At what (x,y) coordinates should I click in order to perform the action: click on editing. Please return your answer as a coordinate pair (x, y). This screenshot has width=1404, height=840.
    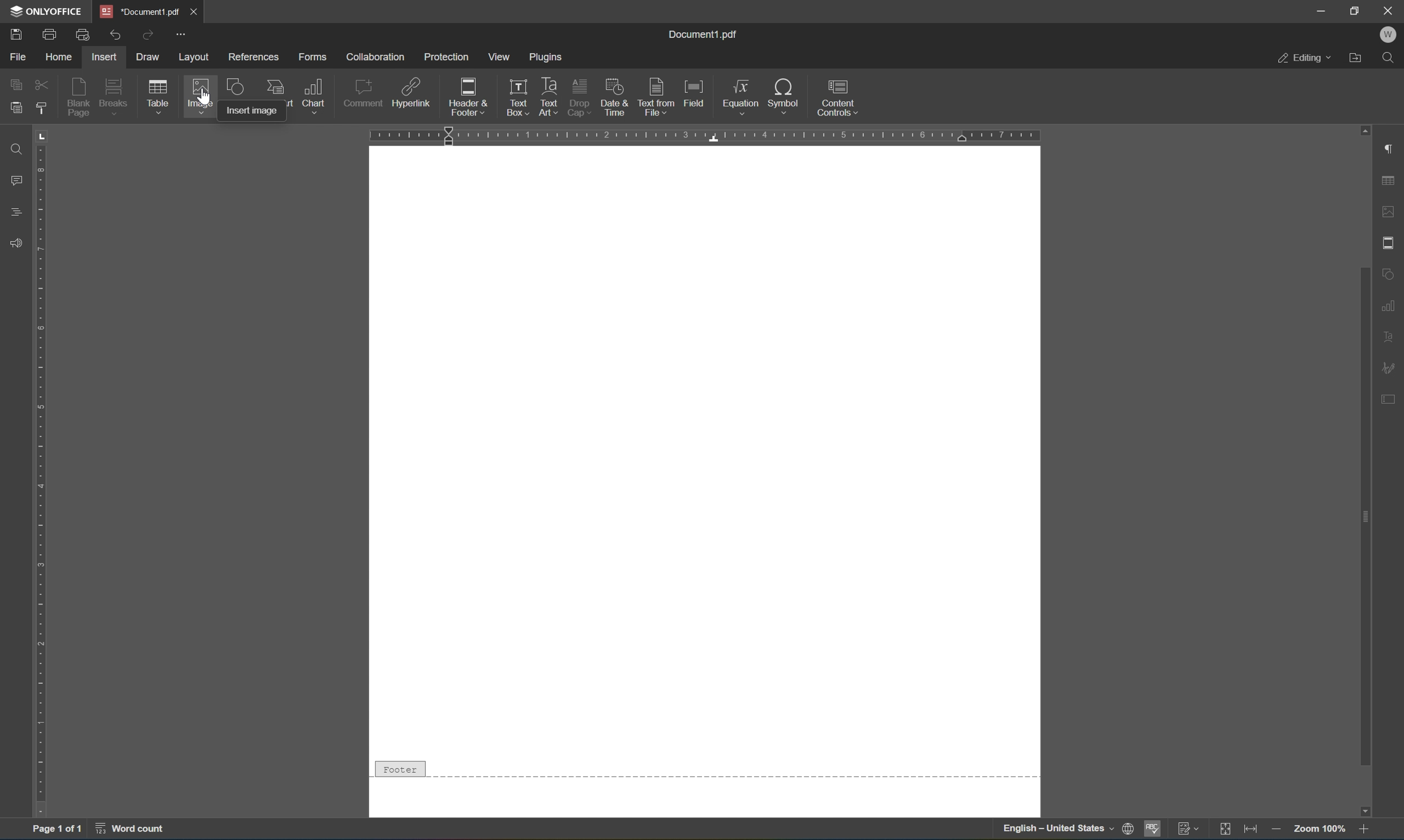
    Looking at the image, I should click on (1304, 57).